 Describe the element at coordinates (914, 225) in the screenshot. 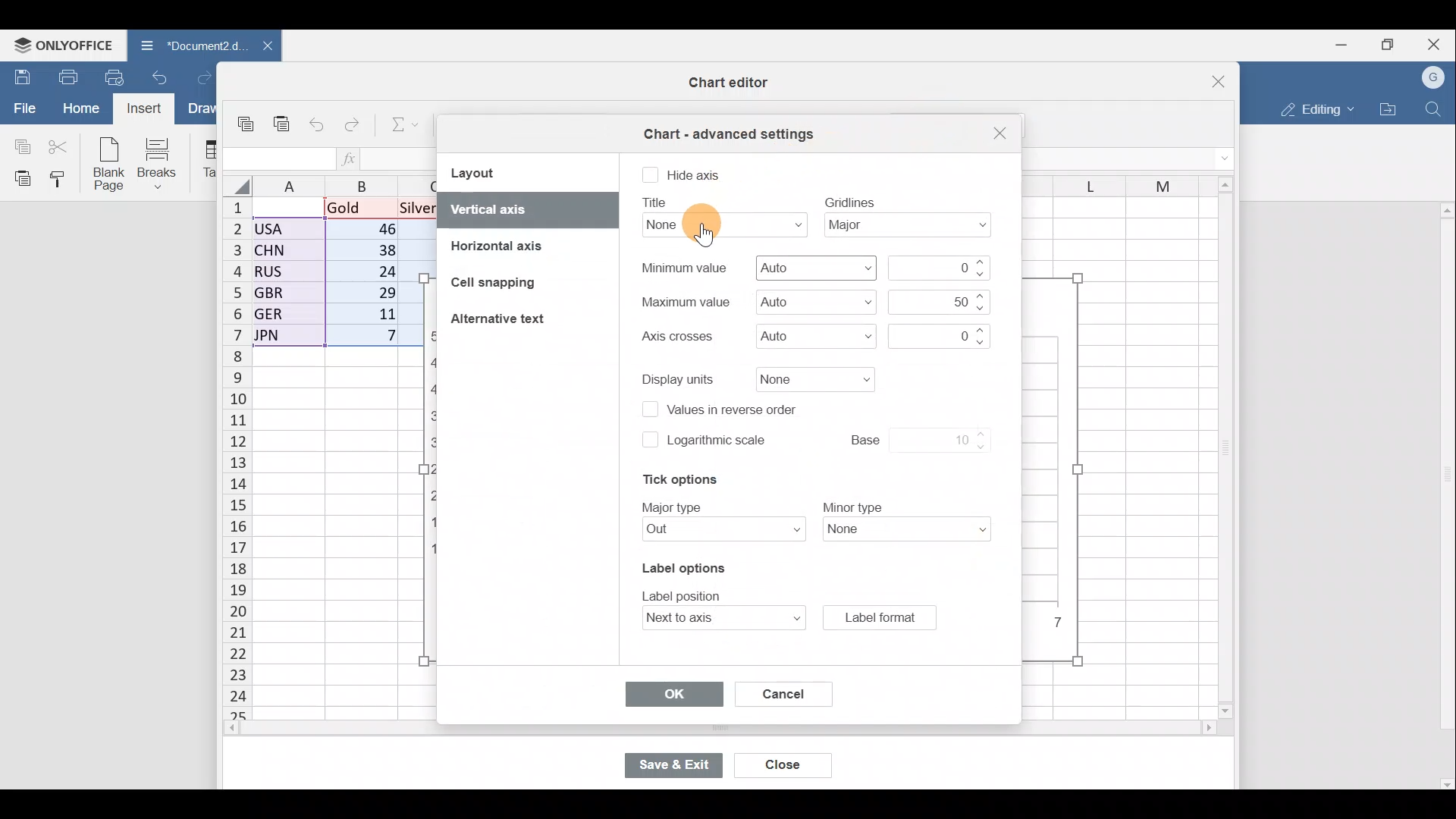

I see `Gridlines` at that location.